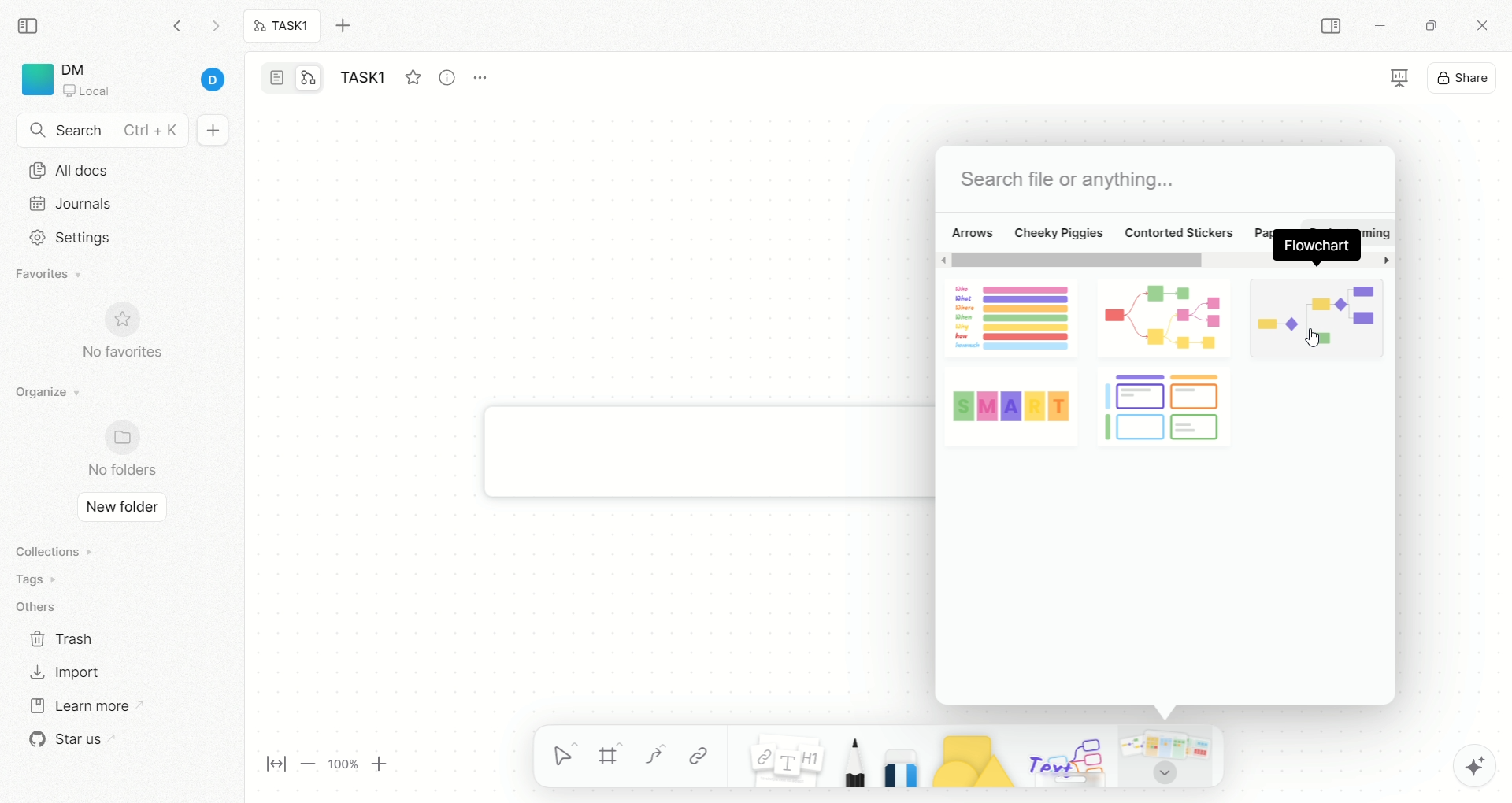 Image resolution: width=1512 pixels, height=803 pixels. Describe the element at coordinates (1458, 762) in the screenshot. I see `AFFiNE AI` at that location.